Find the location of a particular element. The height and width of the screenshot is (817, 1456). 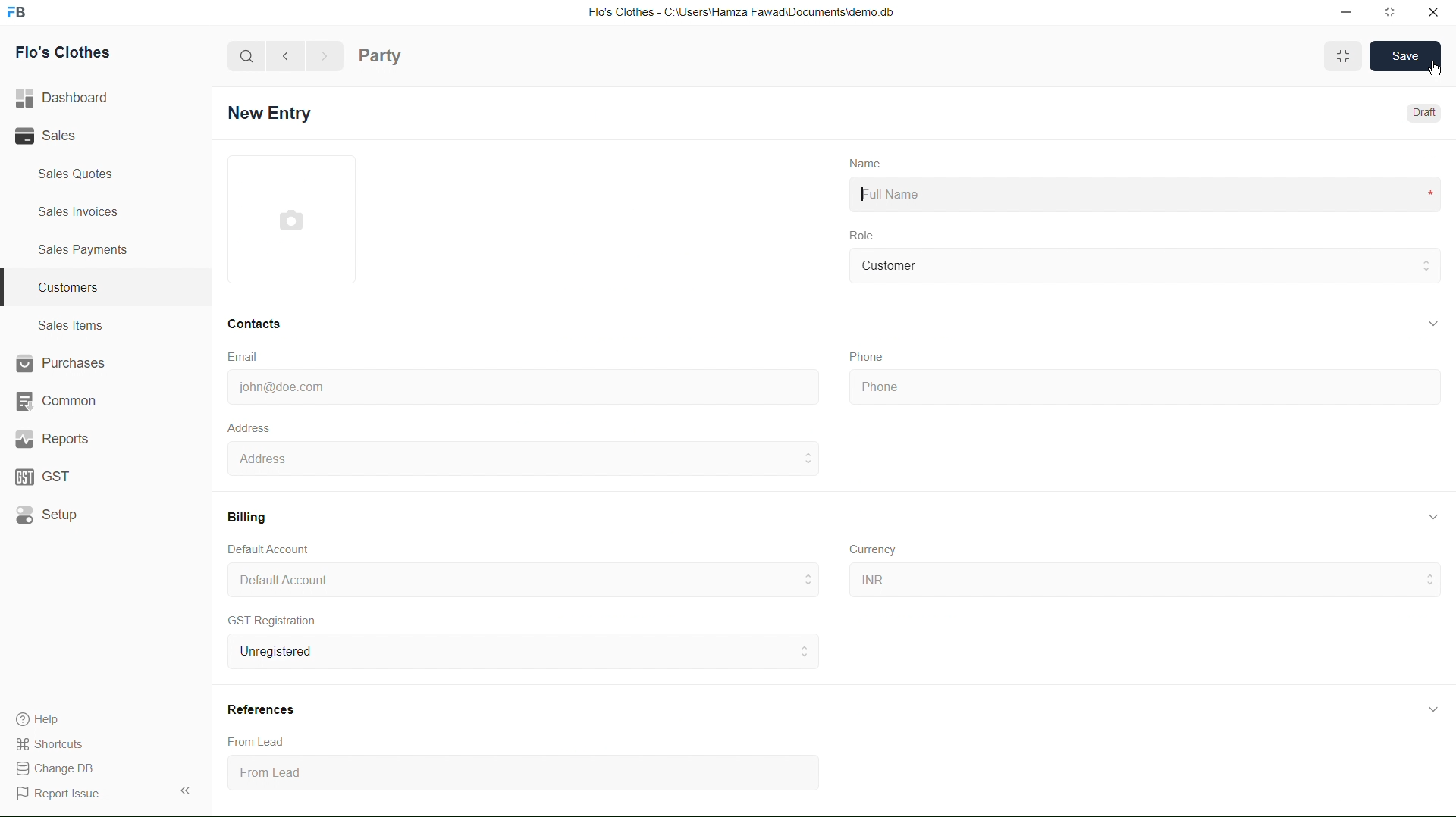

SAVE is located at coordinates (1398, 57).